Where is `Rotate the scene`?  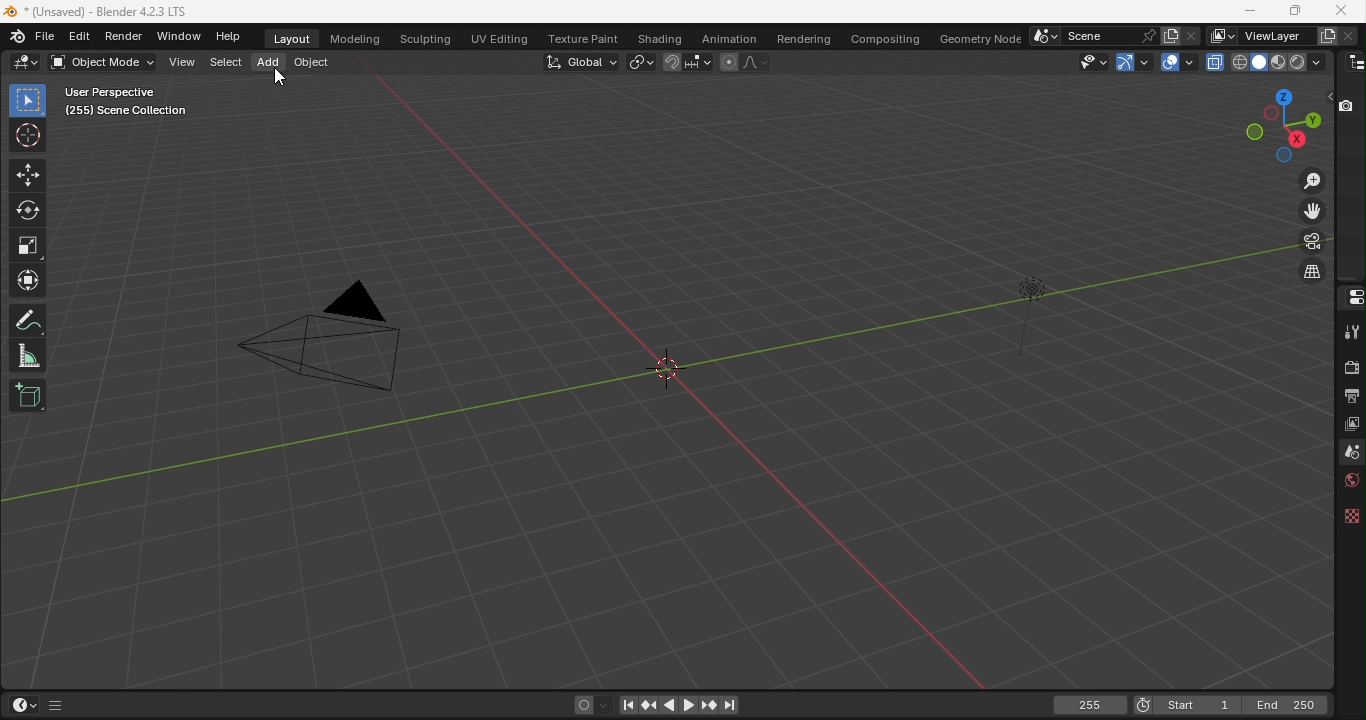
Rotate the scene is located at coordinates (1284, 156).